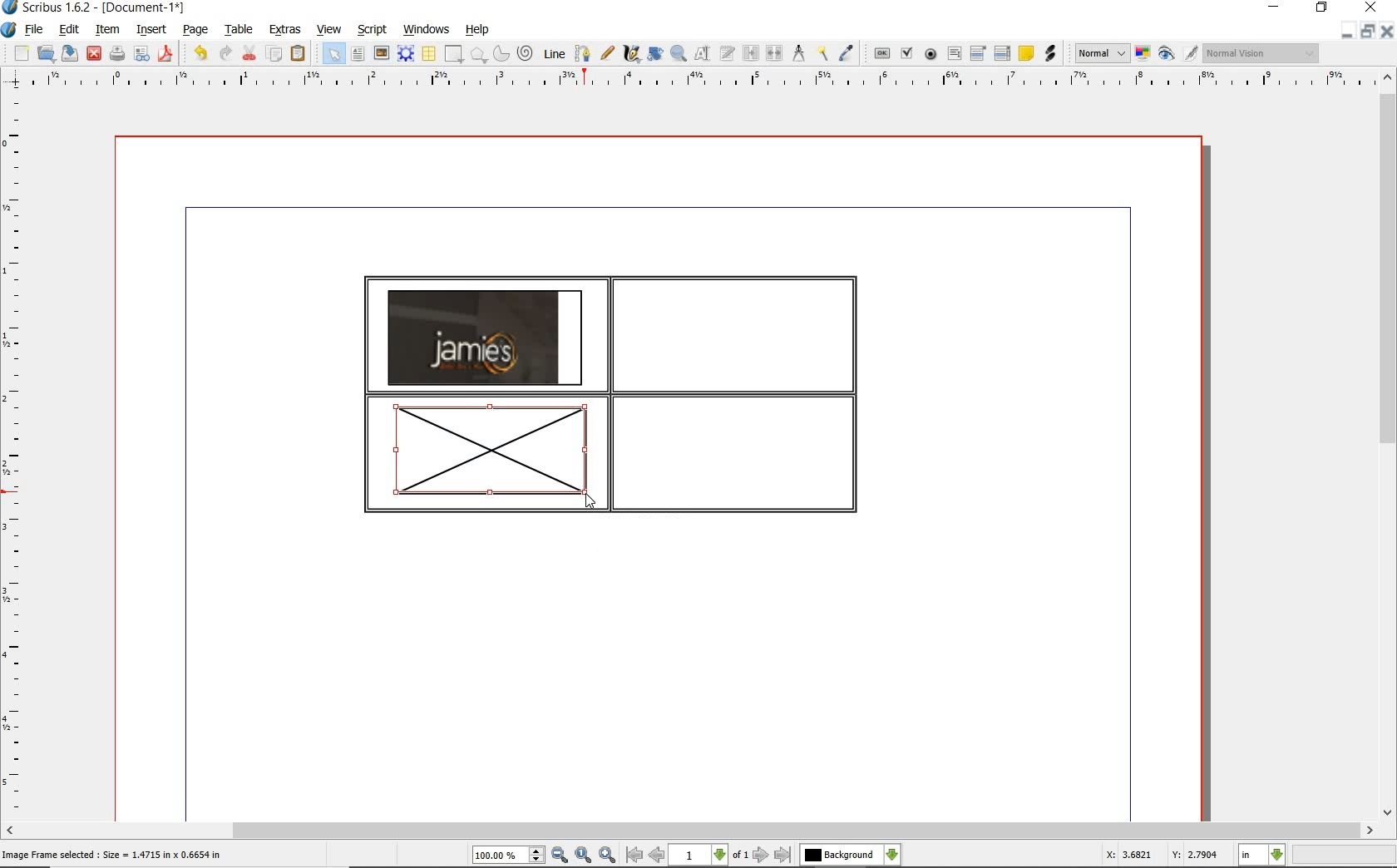 Image resolution: width=1397 pixels, height=868 pixels. Describe the element at coordinates (426, 30) in the screenshot. I see `windows` at that location.